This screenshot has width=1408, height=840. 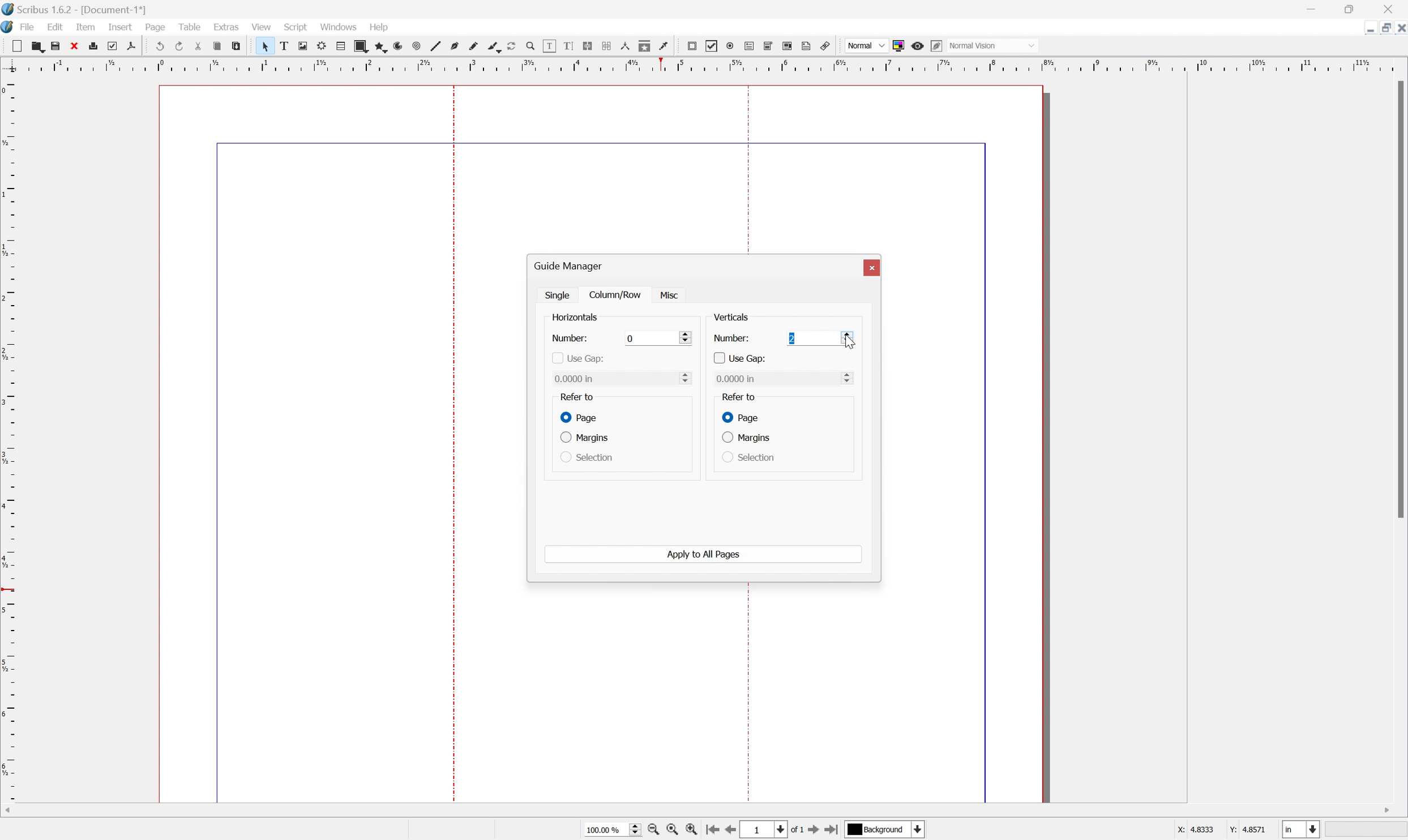 I want to click on go to first page, so click(x=712, y=830).